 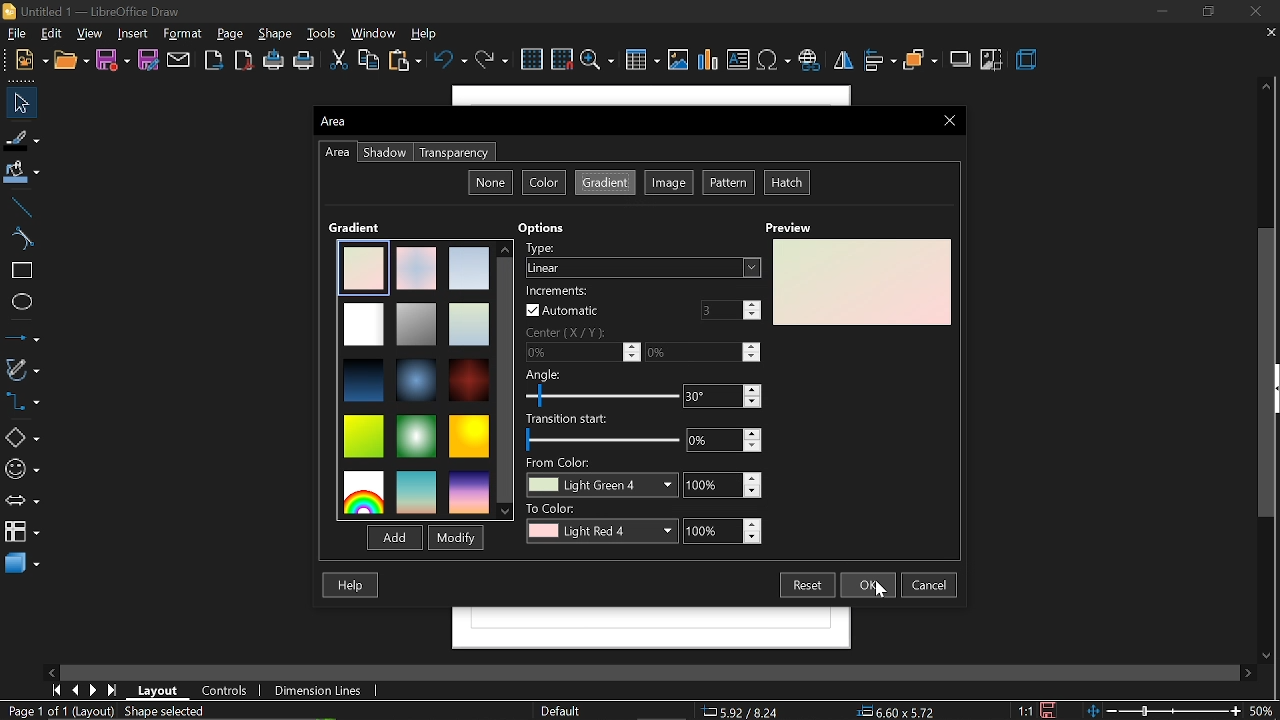 What do you see at coordinates (810, 62) in the screenshot?
I see `Insert hyperlink` at bounding box center [810, 62].